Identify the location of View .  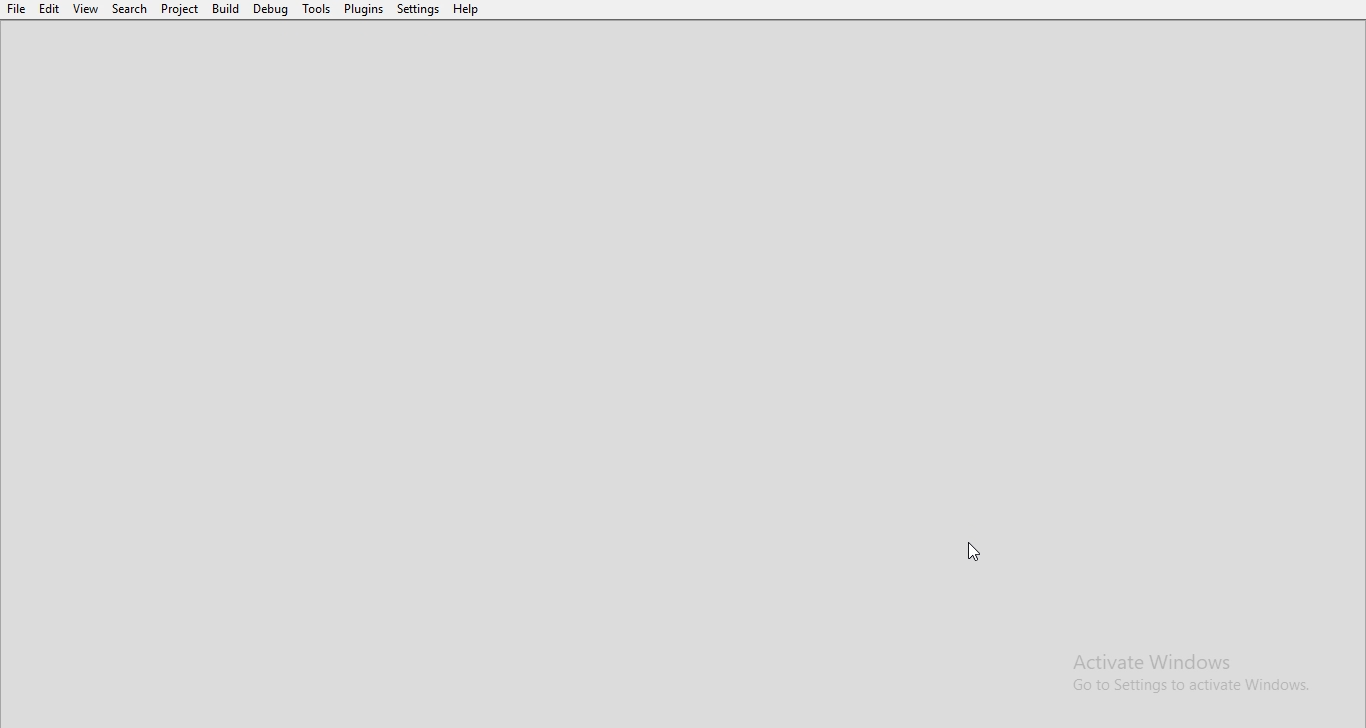
(86, 9).